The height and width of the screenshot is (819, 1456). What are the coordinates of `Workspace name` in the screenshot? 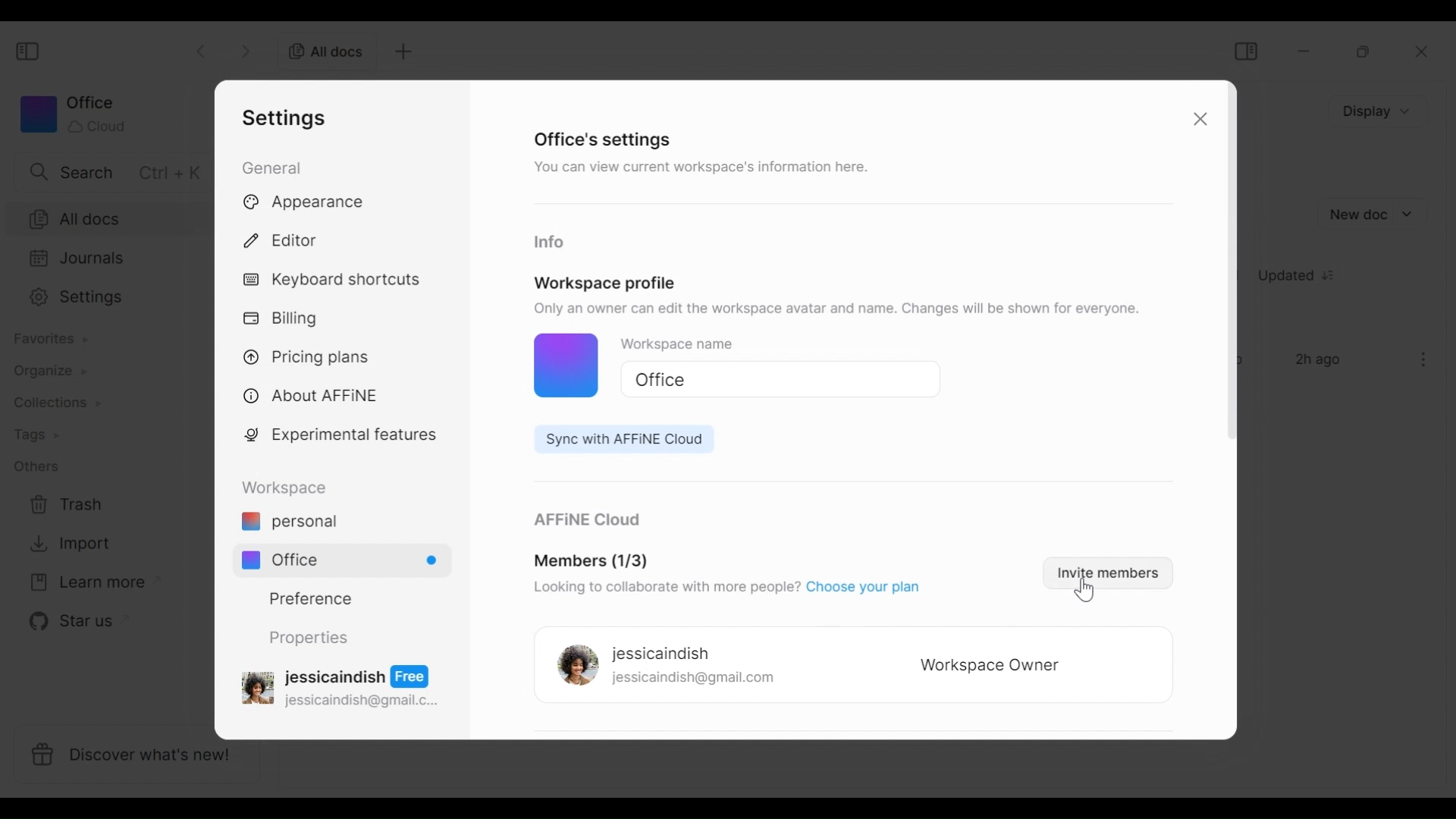 It's located at (694, 347).